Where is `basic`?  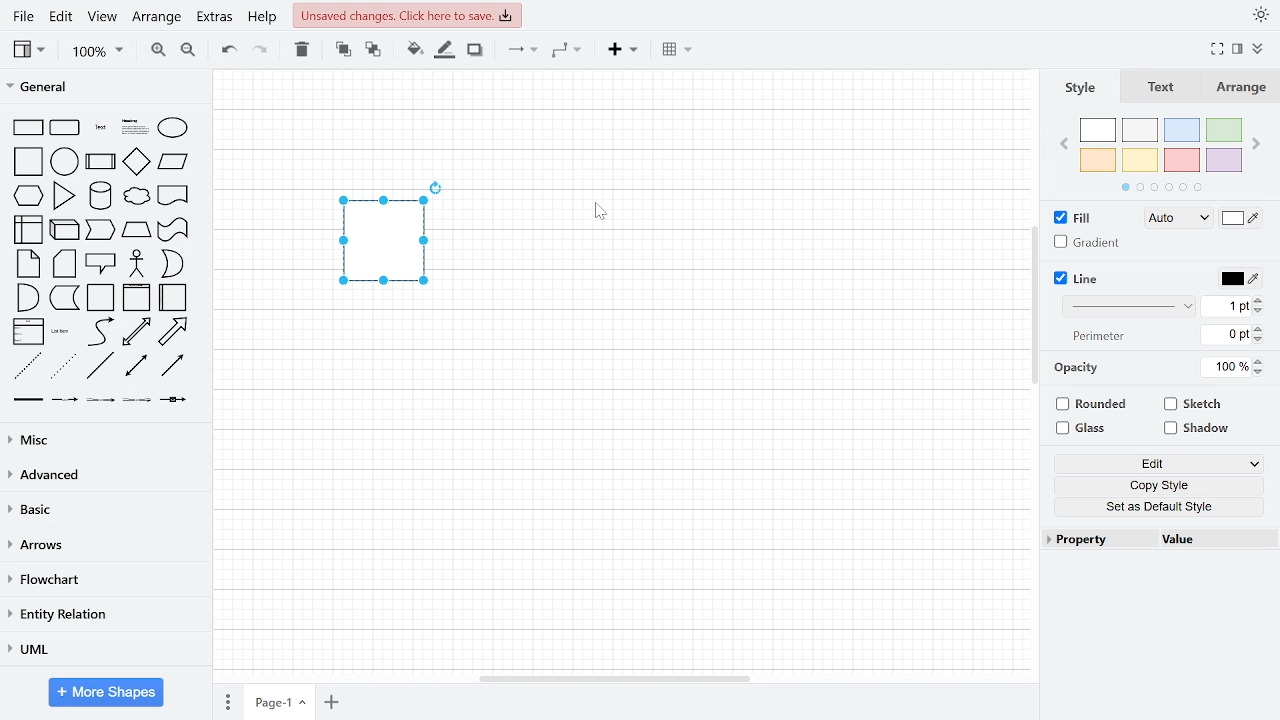
basic is located at coordinates (103, 509).